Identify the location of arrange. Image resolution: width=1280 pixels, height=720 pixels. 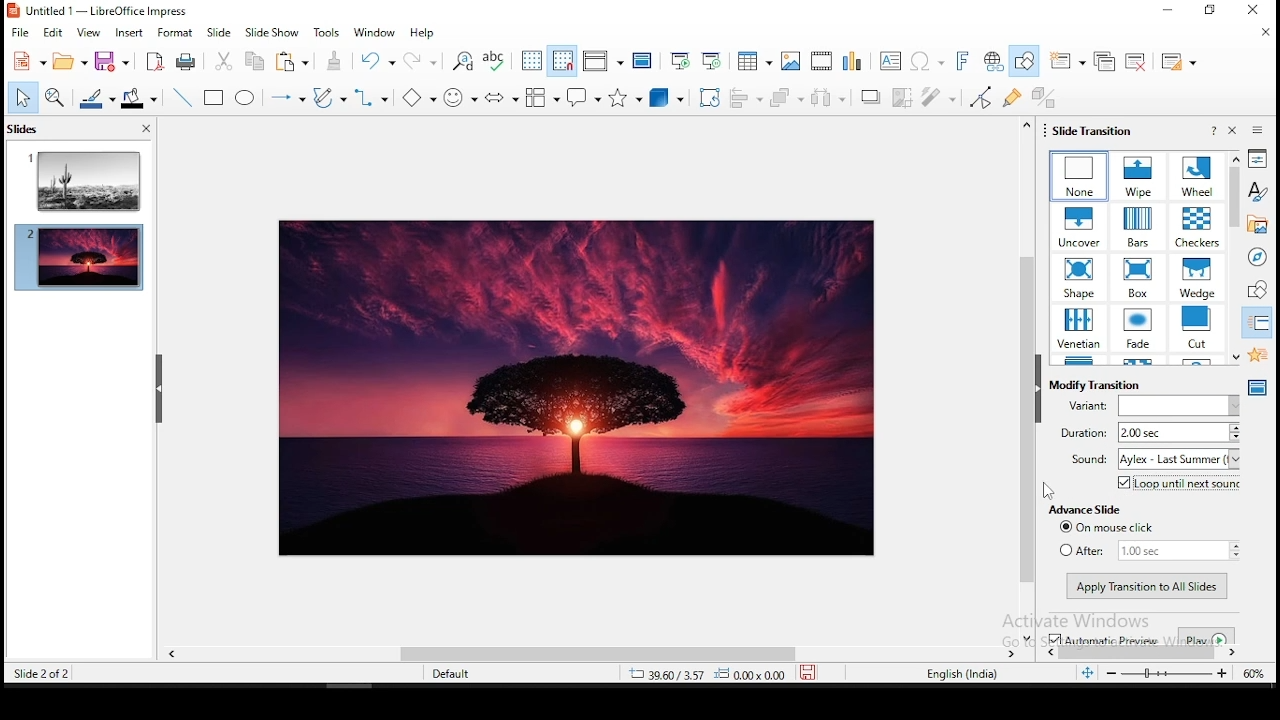
(790, 98).